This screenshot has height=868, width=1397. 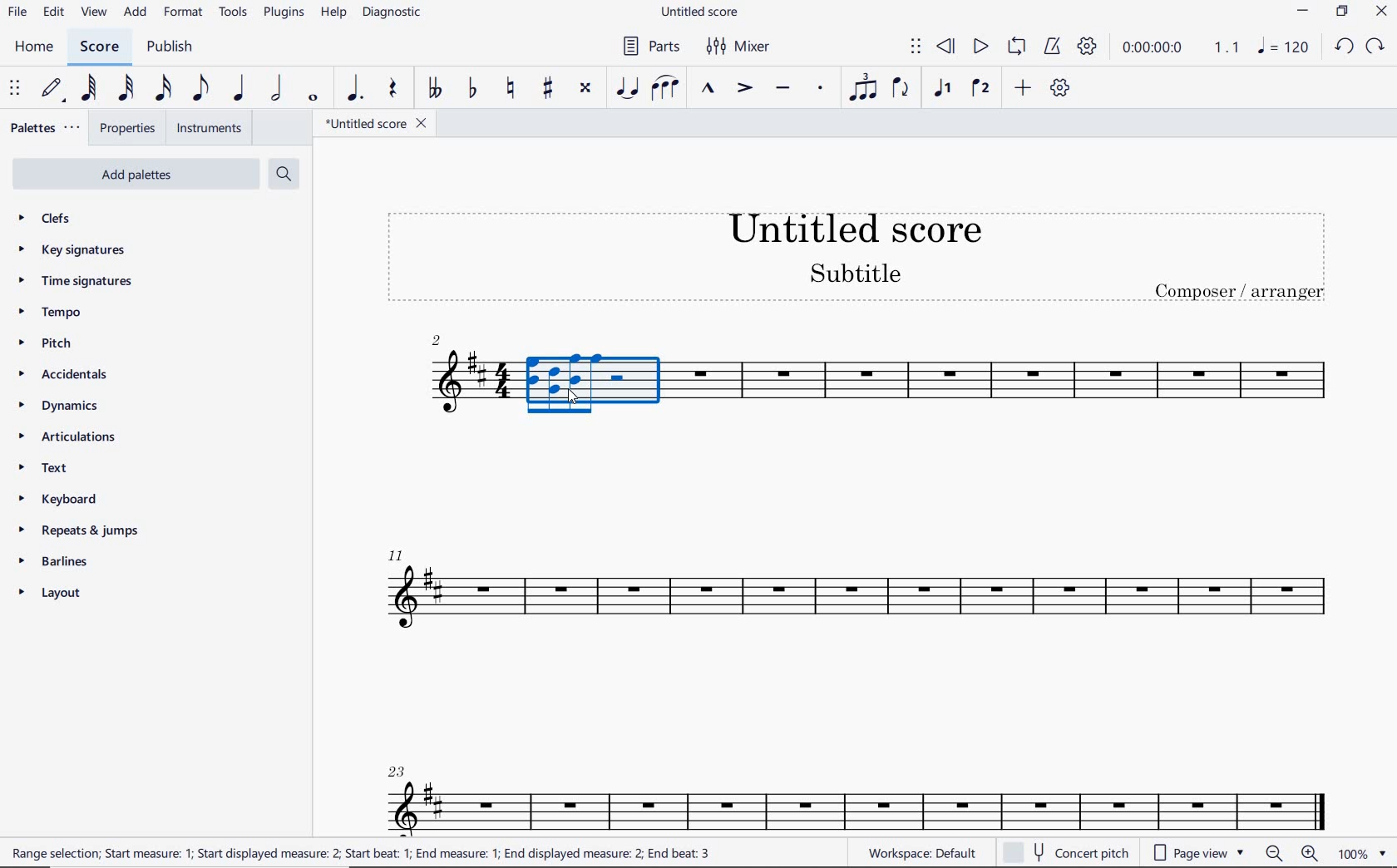 I want to click on SELECET TO MOVE, so click(x=15, y=90).